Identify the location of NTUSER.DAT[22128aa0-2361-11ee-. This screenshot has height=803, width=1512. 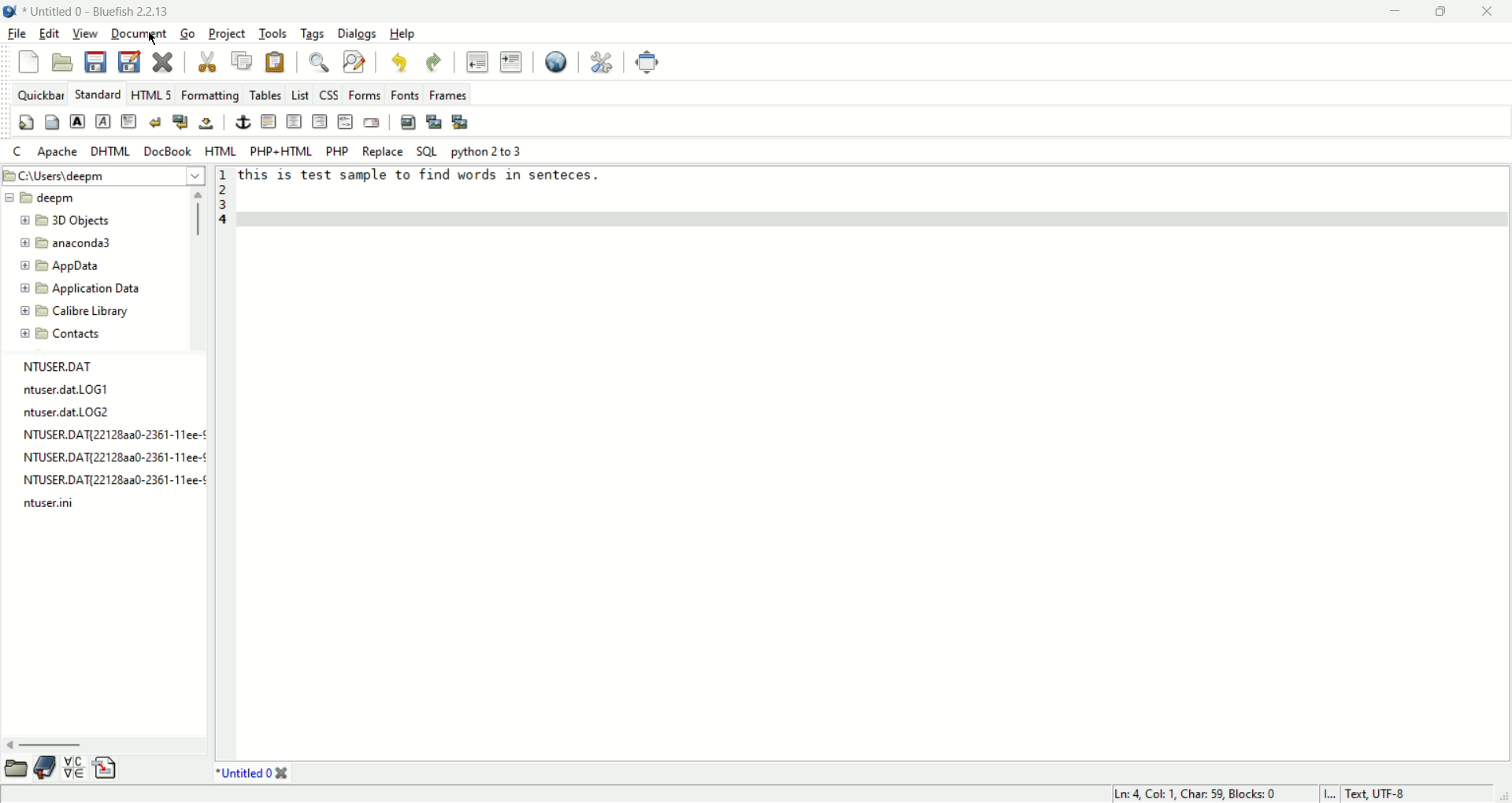
(112, 479).